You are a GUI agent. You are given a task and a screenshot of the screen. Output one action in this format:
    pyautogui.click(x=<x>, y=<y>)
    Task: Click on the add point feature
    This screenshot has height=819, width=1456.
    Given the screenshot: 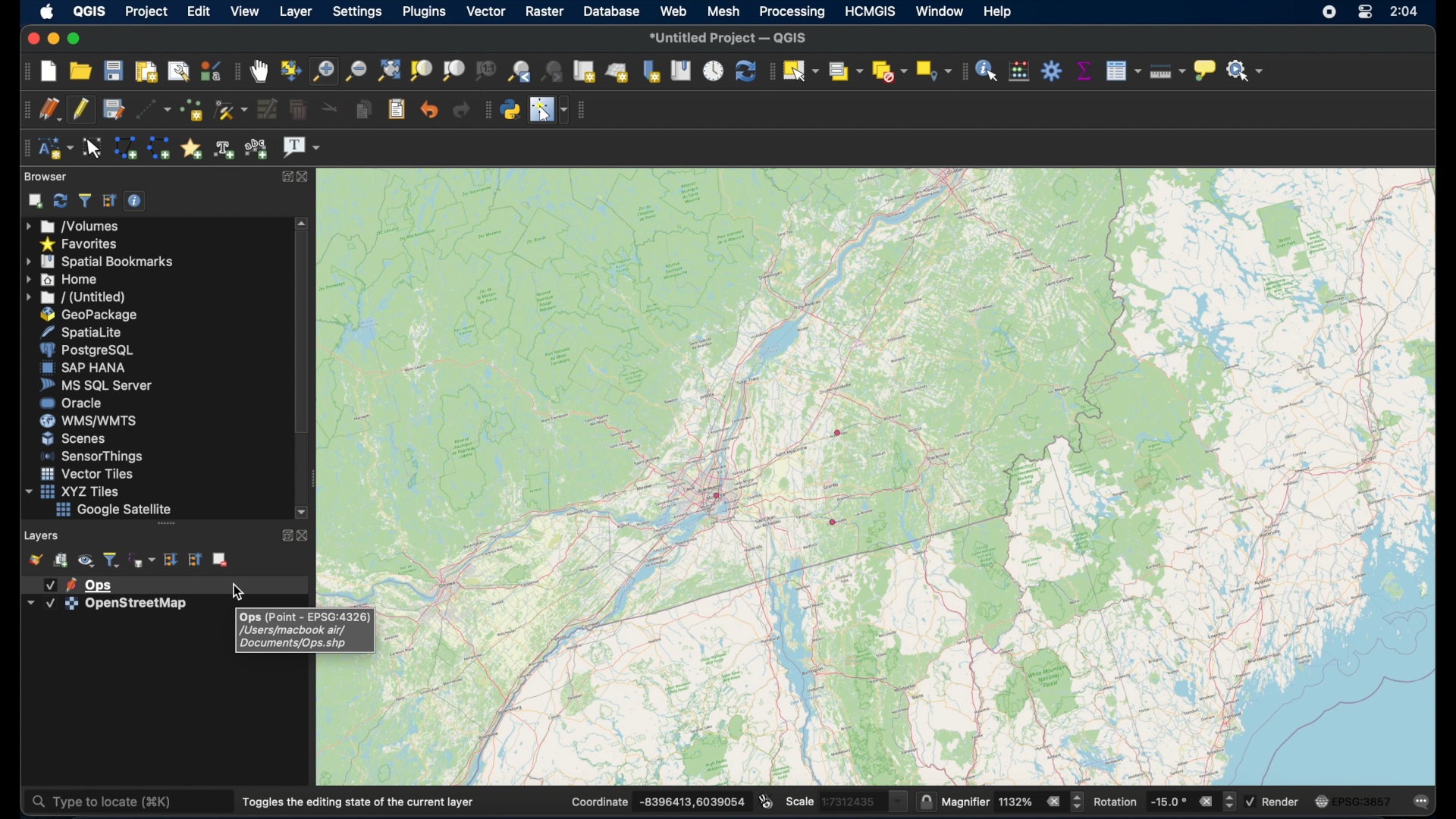 What is the action you would take?
    pyautogui.click(x=192, y=110)
    